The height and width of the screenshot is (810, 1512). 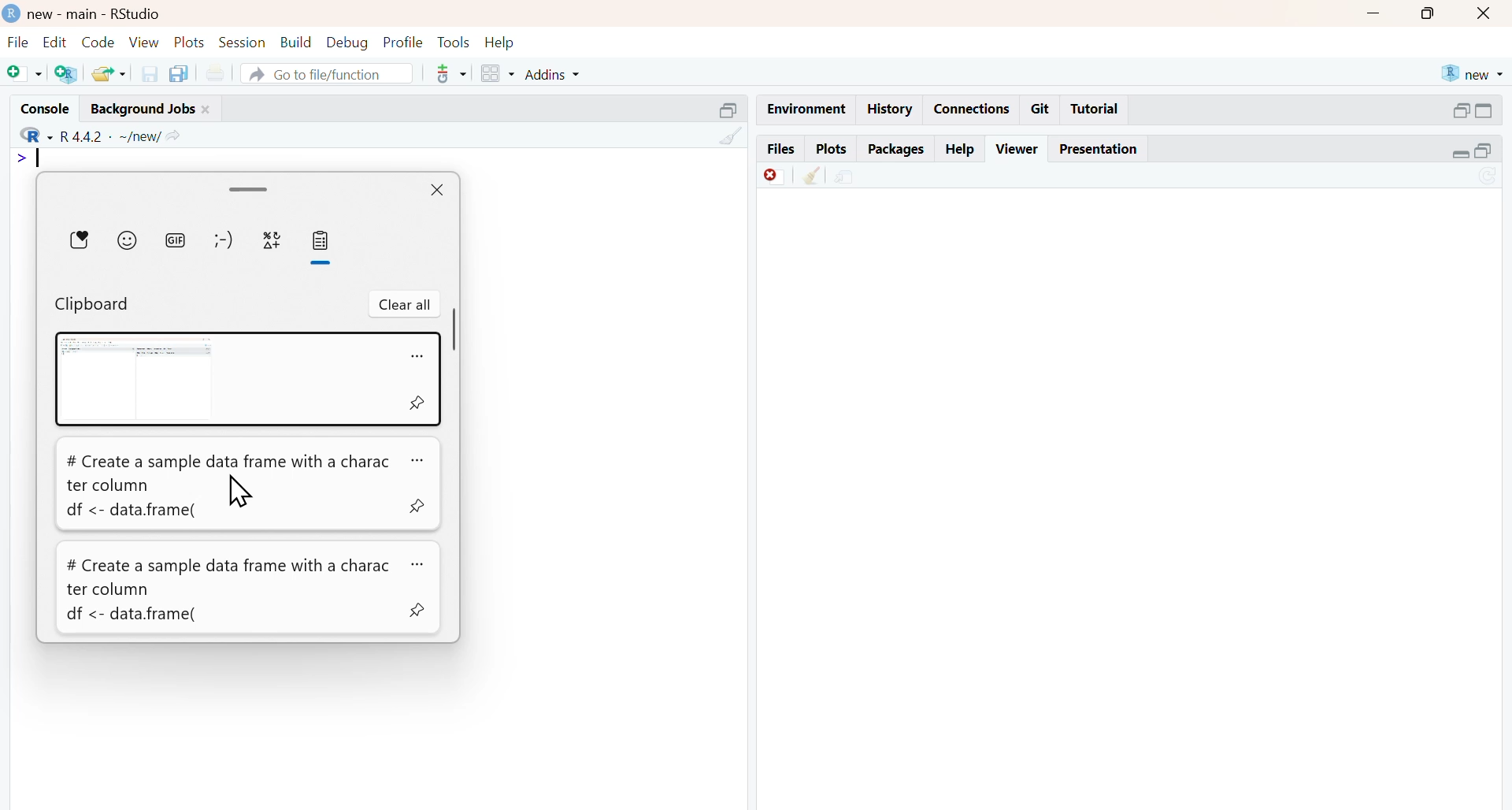 What do you see at coordinates (55, 43) in the screenshot?
I see `edit` at bounding box center [55, 43].